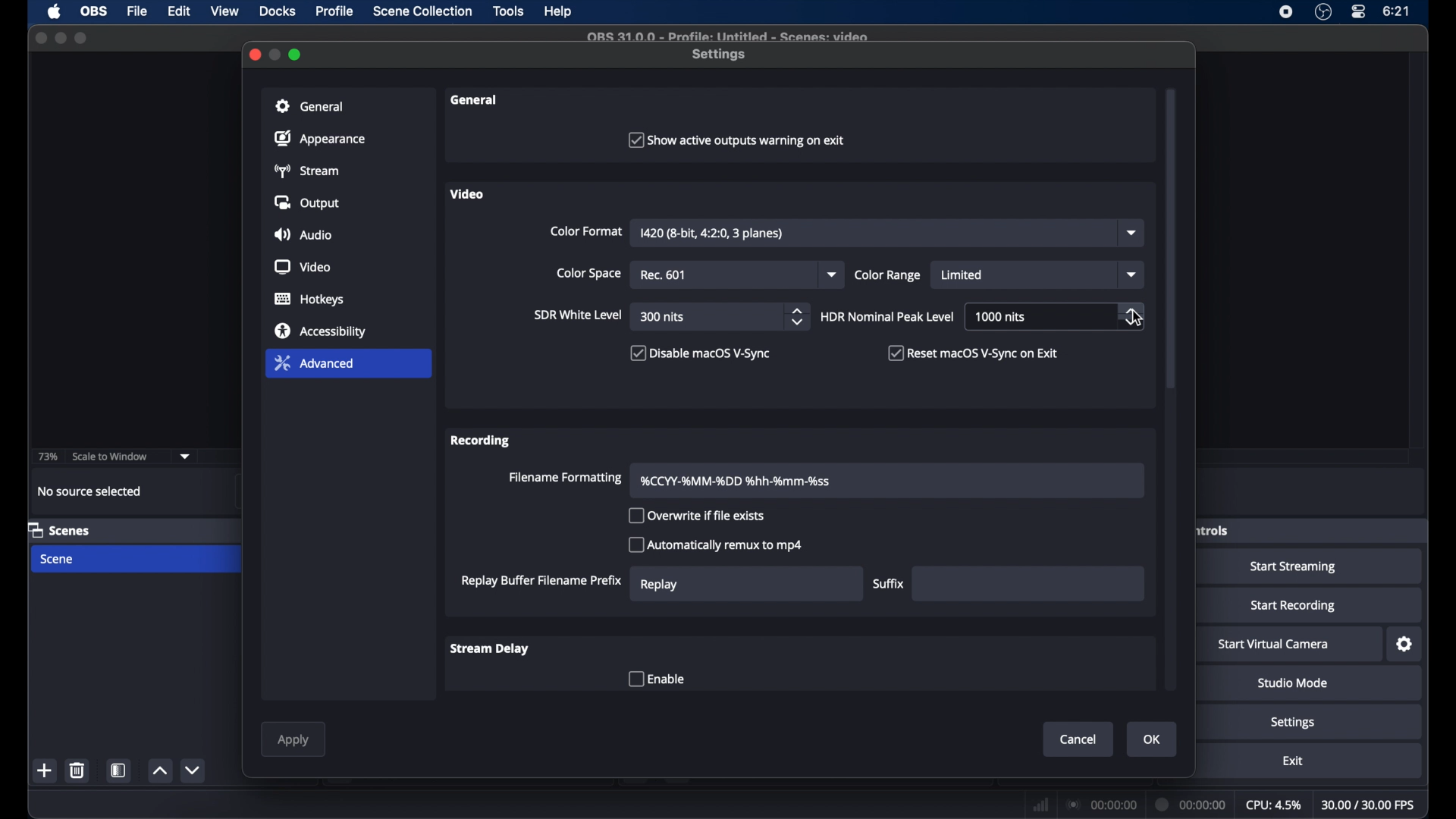  I want to click on cursor, so click(1137, 320).